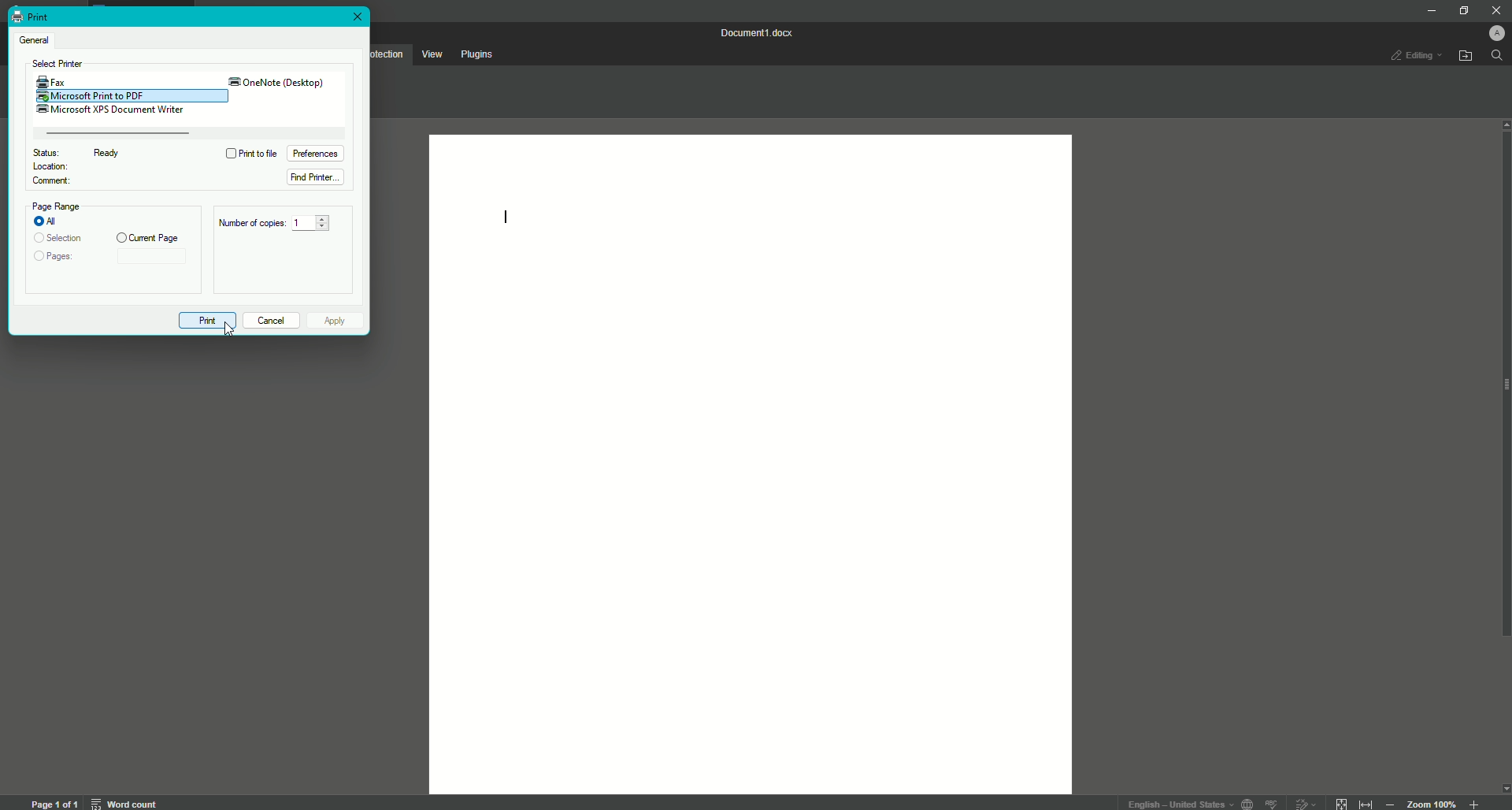 The width and height of the screenshot is (1512, 810). I want to click on General, so click(38, 38).